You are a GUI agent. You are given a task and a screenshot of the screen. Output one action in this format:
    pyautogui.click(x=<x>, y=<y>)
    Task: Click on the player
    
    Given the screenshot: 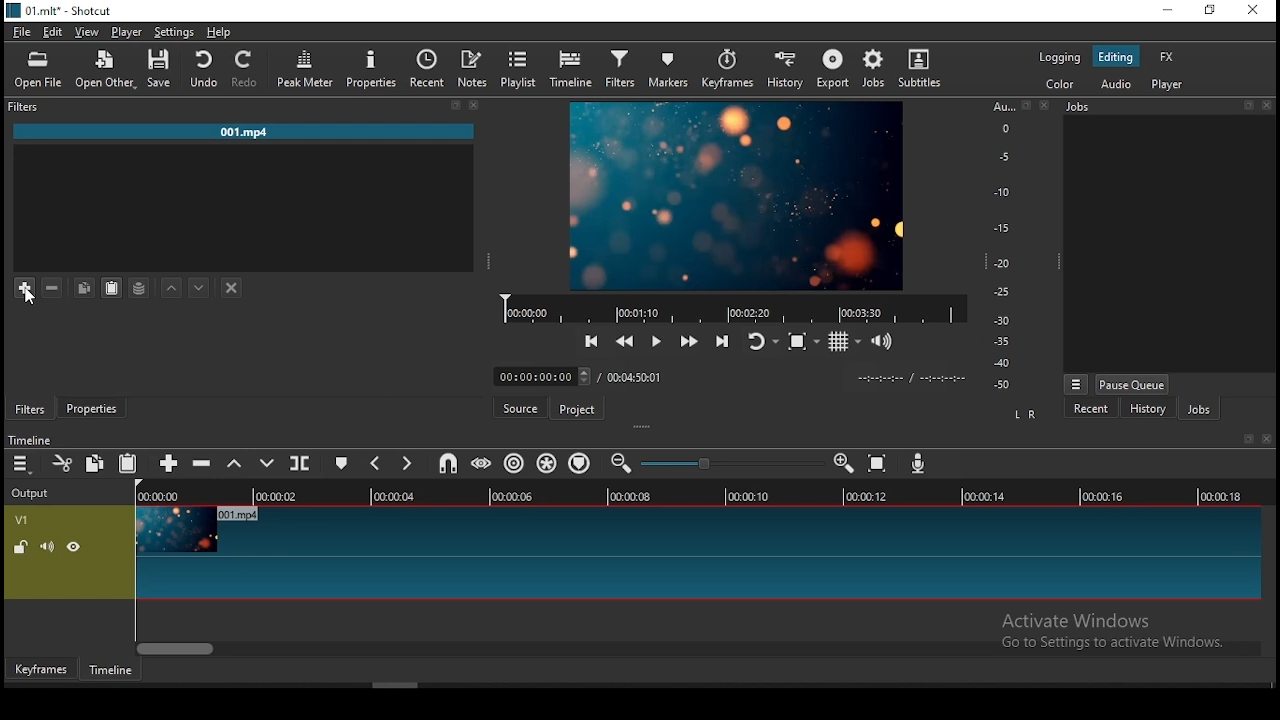 What is the action you would take?
    pyautogui.click(x=1166, y=84)
    